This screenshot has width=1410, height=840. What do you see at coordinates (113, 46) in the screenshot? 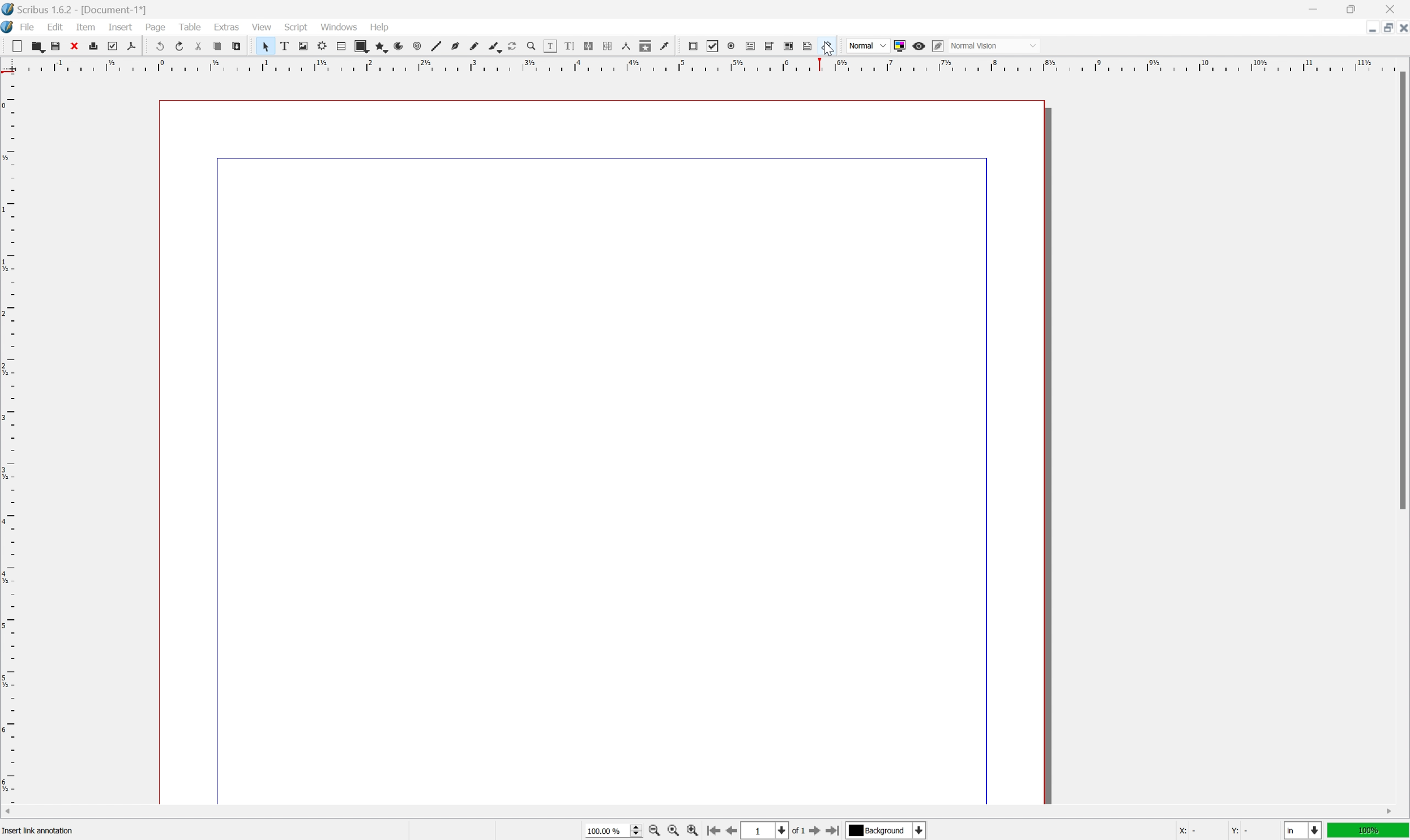
I see `preflight verifier` at bounding box center [113, 46].